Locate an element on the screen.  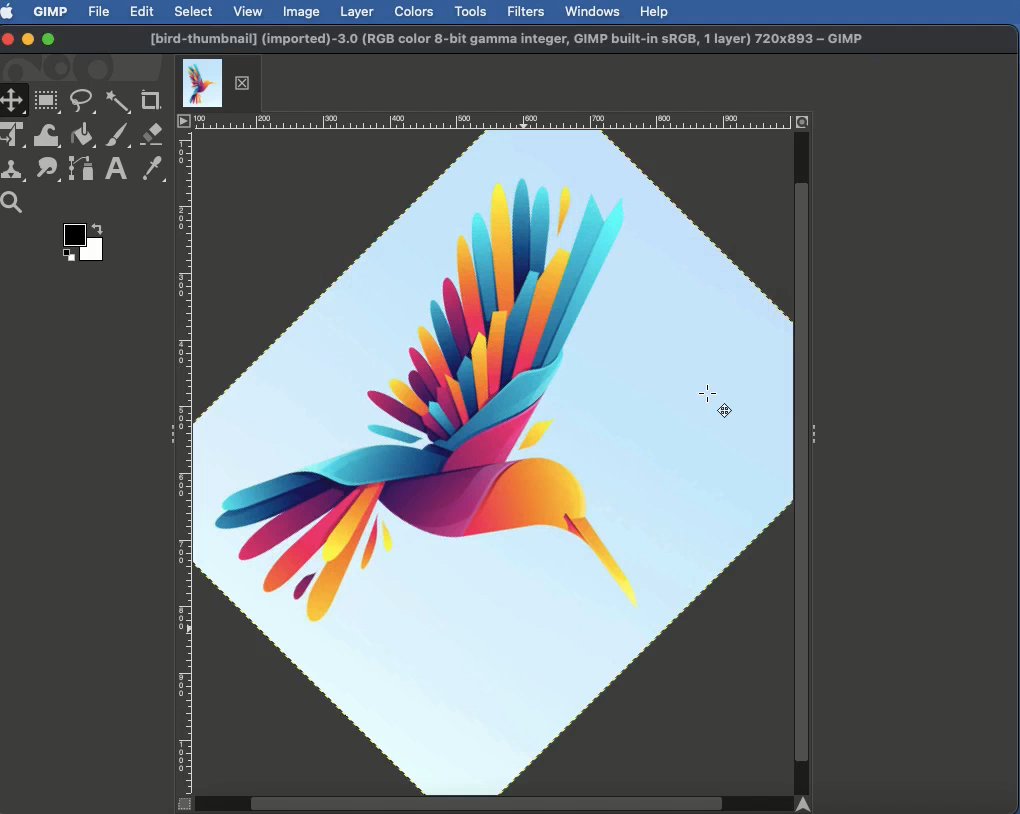
horizontal Scrollbar is located at coordinates (492, 802).